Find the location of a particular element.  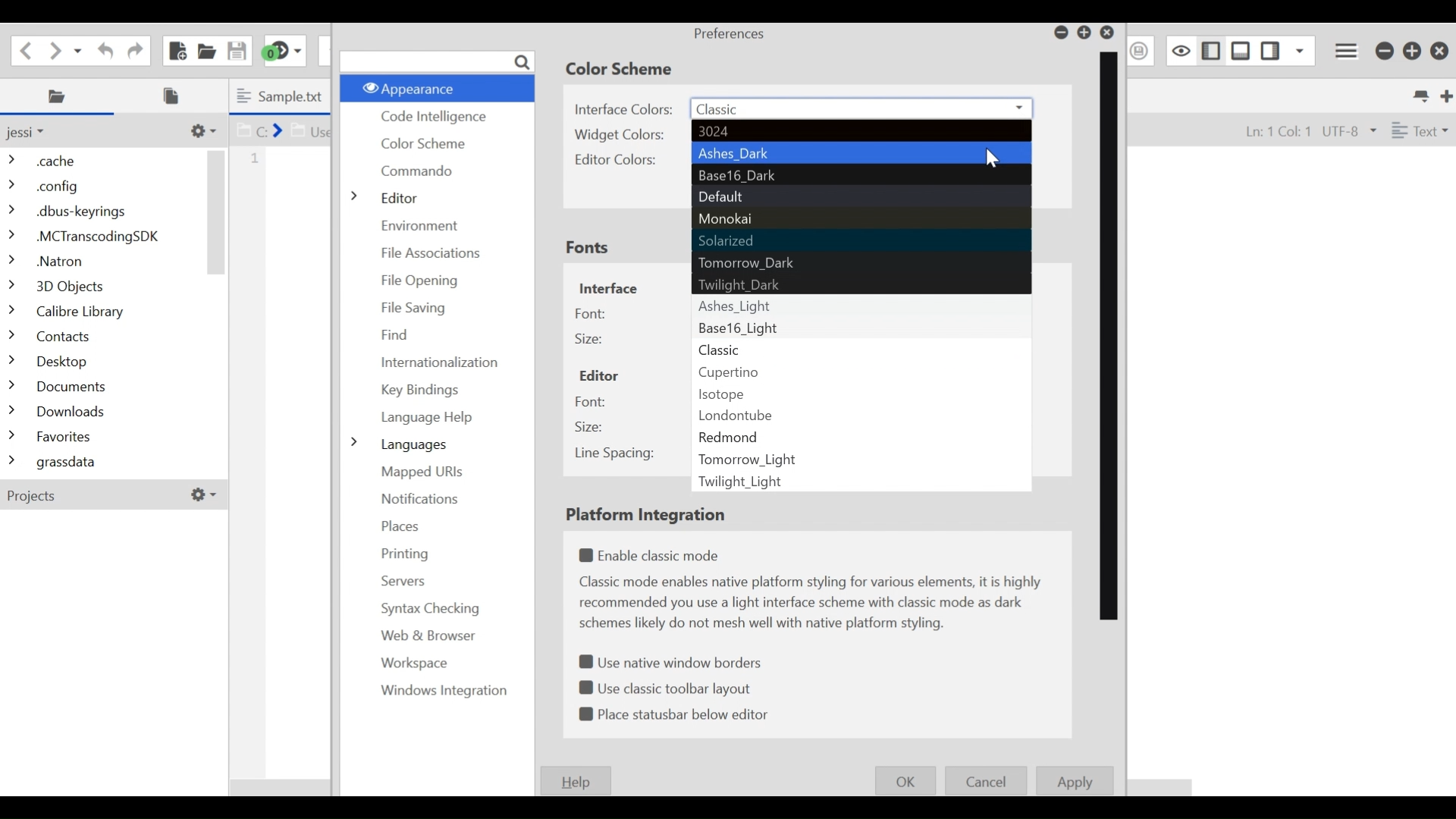

Close is located at coordinates (1439, 52).